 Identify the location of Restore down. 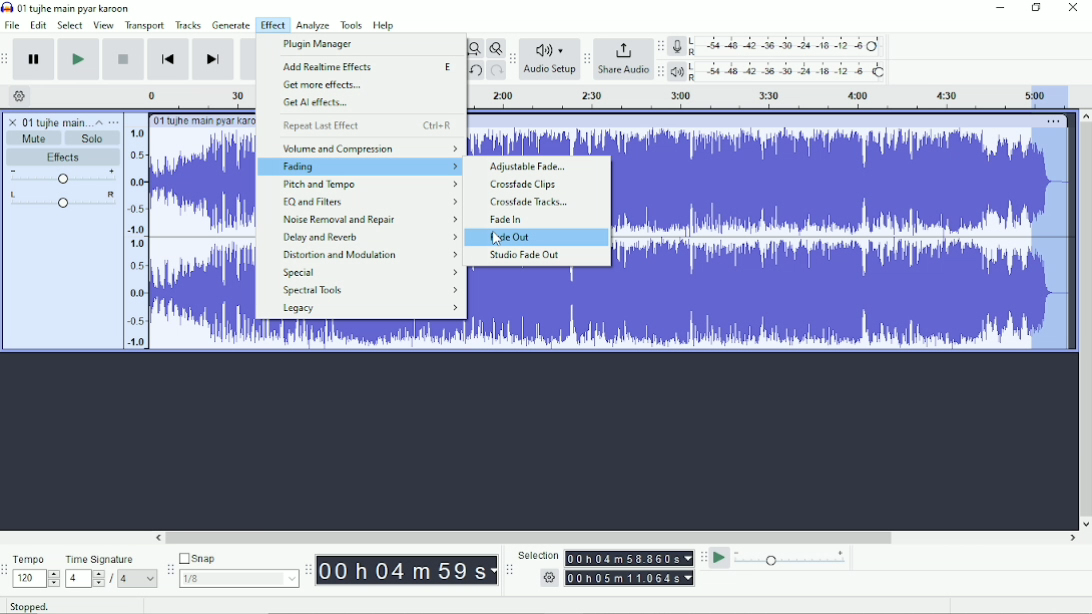
(1038, 7).